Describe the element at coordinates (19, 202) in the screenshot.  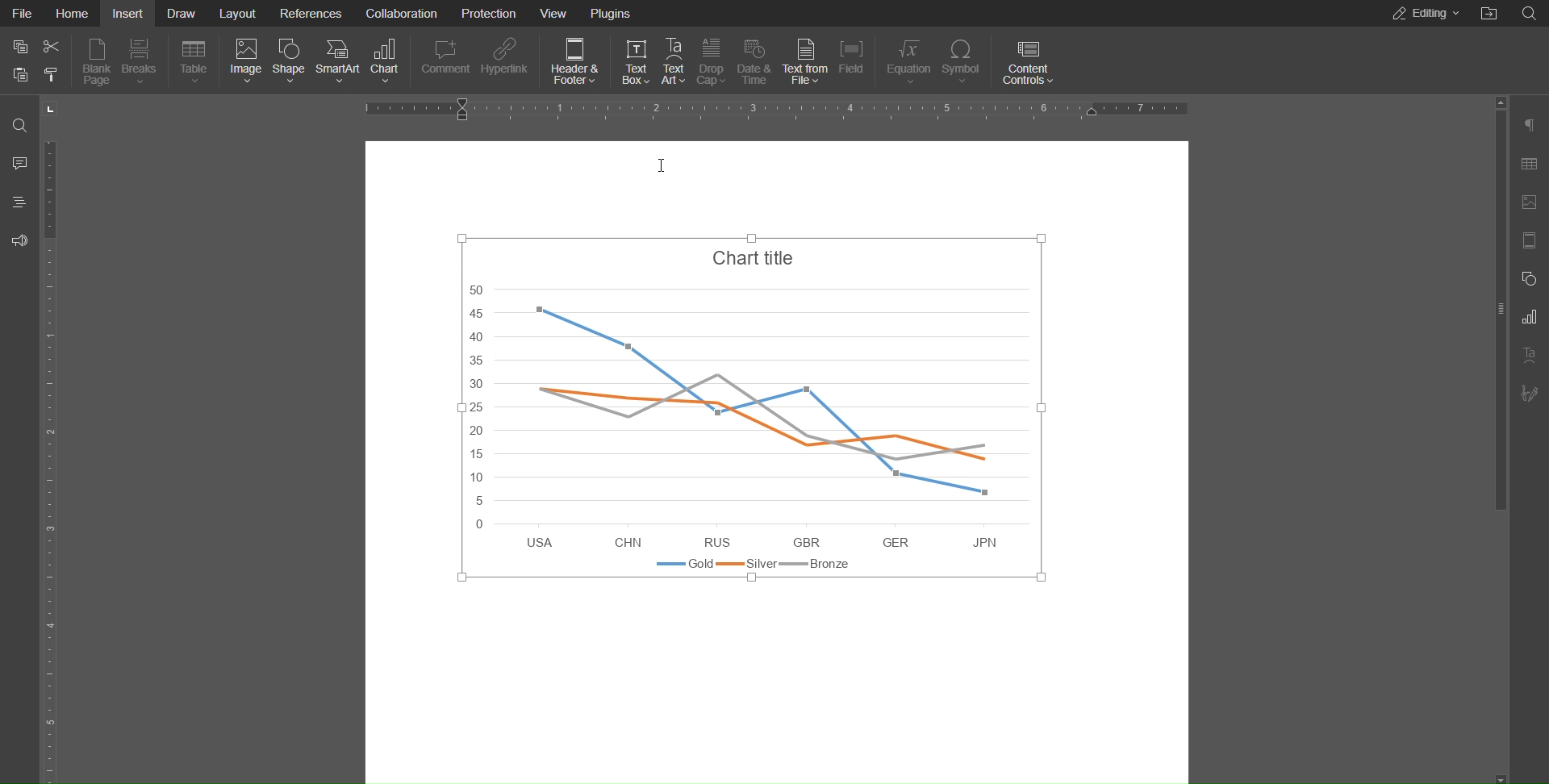
I see `Headings` at that location.